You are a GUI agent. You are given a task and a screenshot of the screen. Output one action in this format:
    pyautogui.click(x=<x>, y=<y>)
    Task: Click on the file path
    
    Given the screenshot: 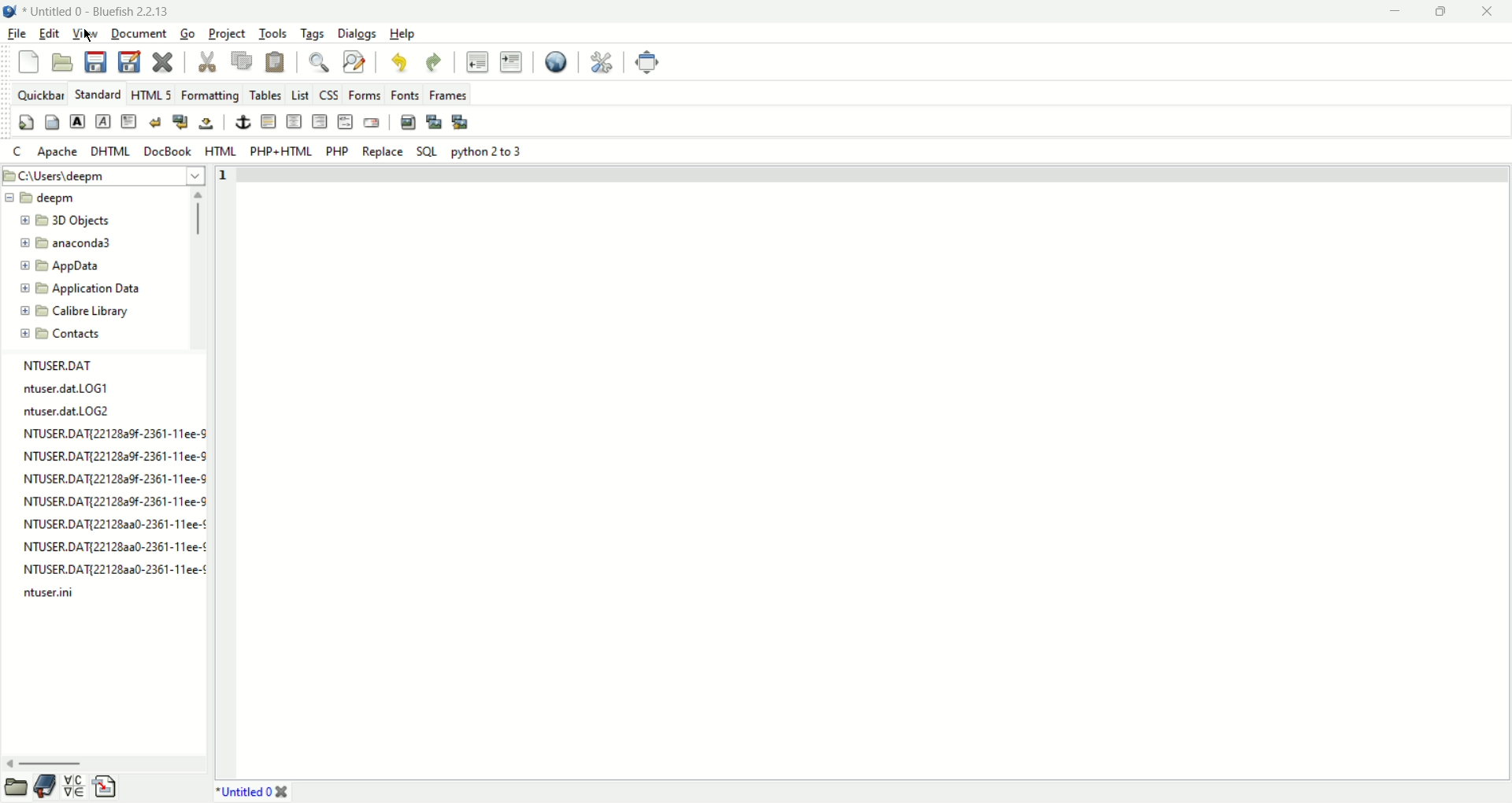 What is the action you would take?
    pyautogui.click(x=104, y=176)
    